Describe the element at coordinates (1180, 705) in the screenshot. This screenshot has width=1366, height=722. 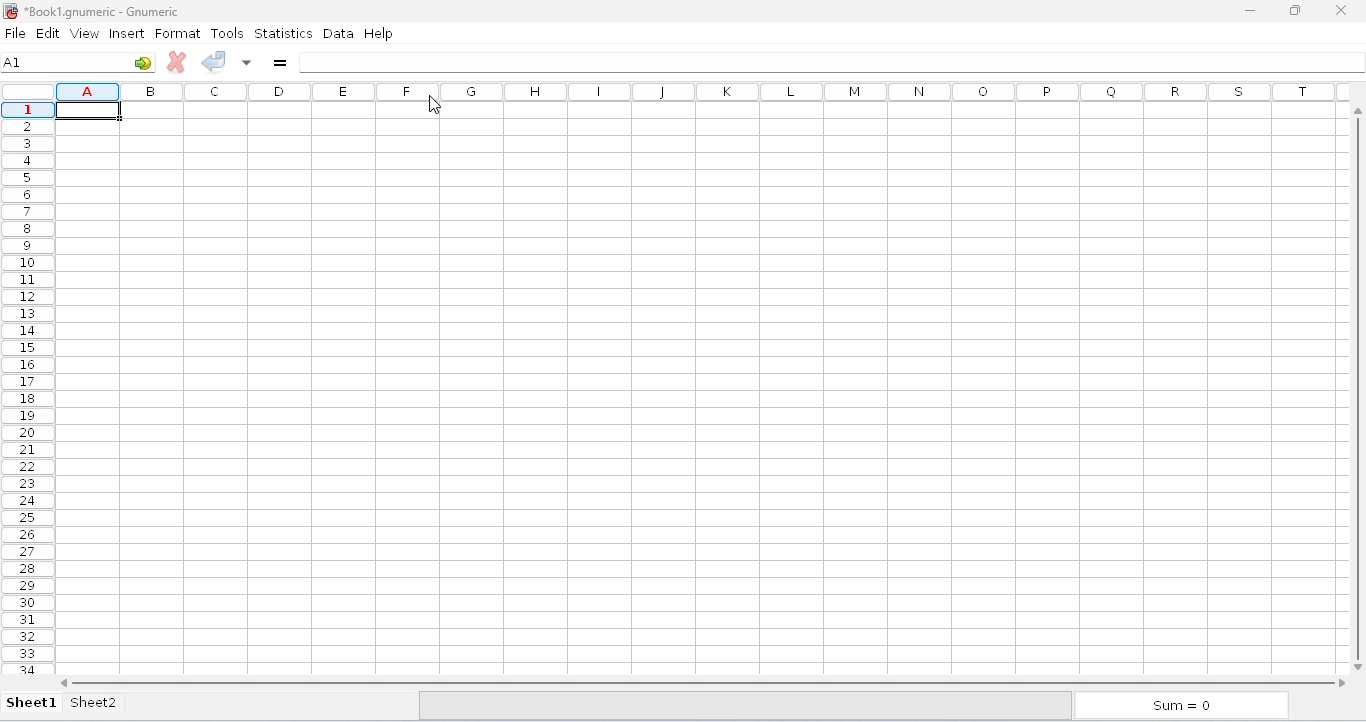
I see `sum = 0` at that location.